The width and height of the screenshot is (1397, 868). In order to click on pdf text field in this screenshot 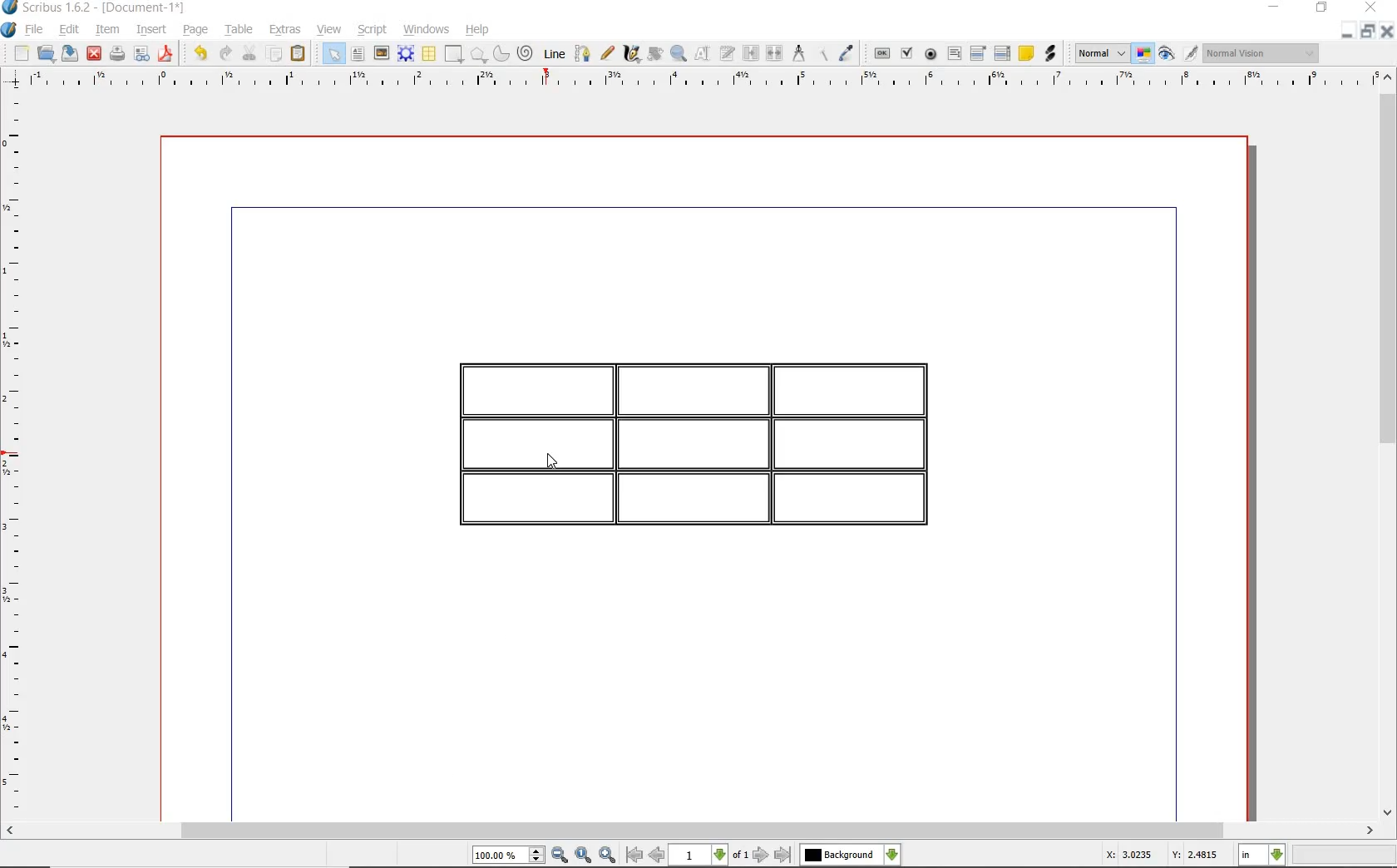, I will do `click(954, 54)`.